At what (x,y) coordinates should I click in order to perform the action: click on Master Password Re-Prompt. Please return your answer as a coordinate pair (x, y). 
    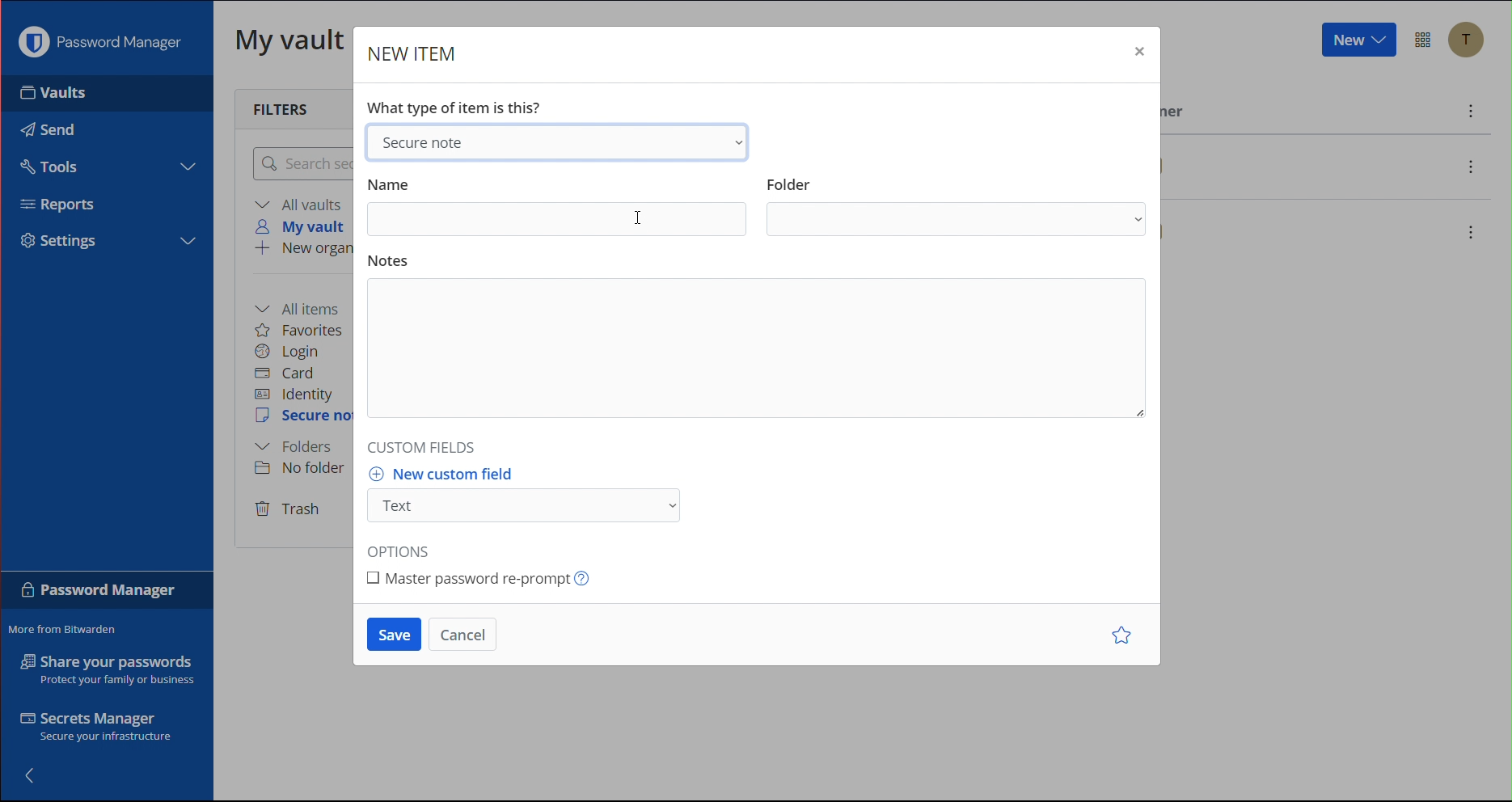
    Looking at the image, I should click on (492, 583).